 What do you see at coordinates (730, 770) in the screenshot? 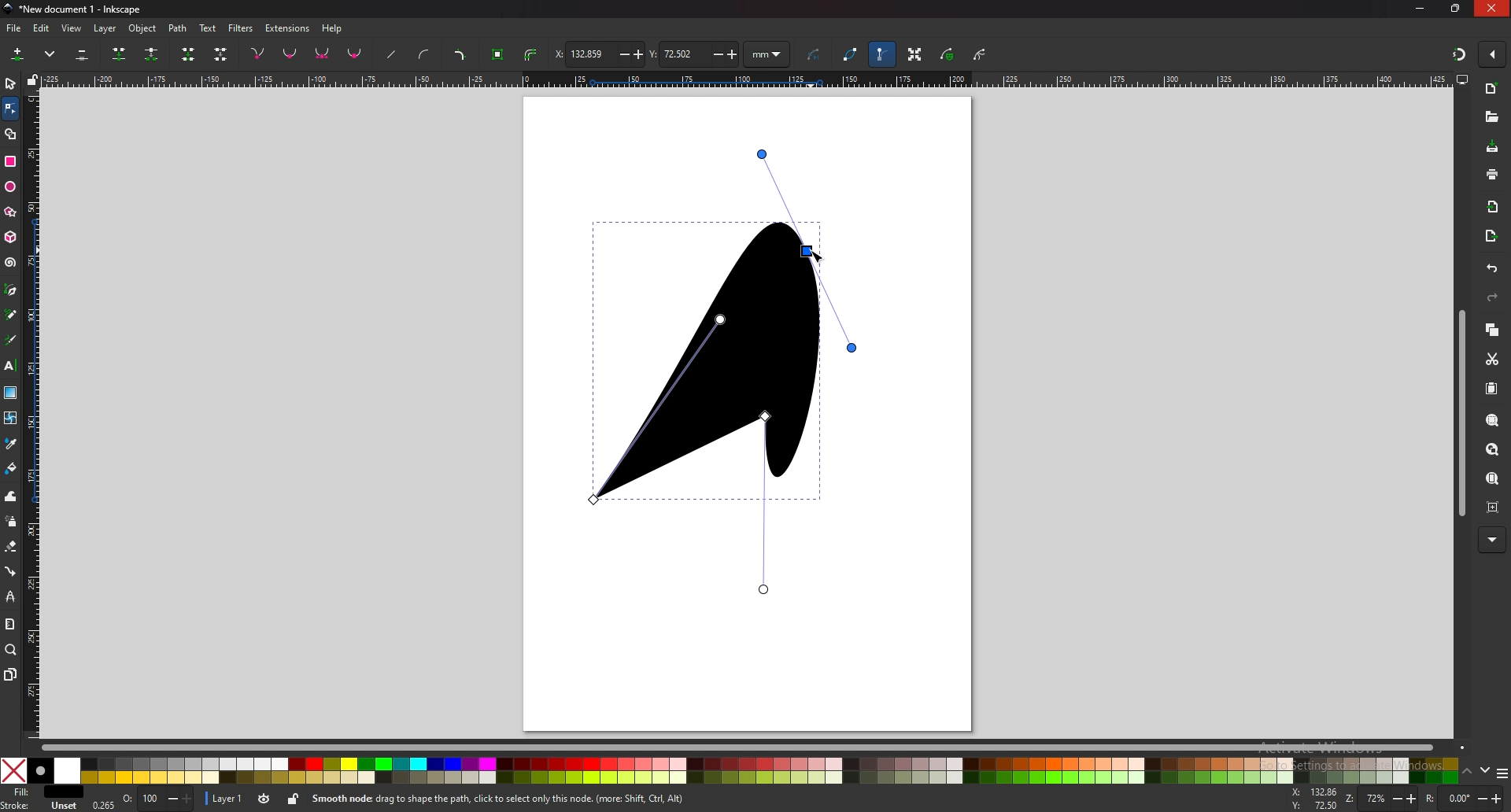
I see `colors` at bounding box center [730, 770].